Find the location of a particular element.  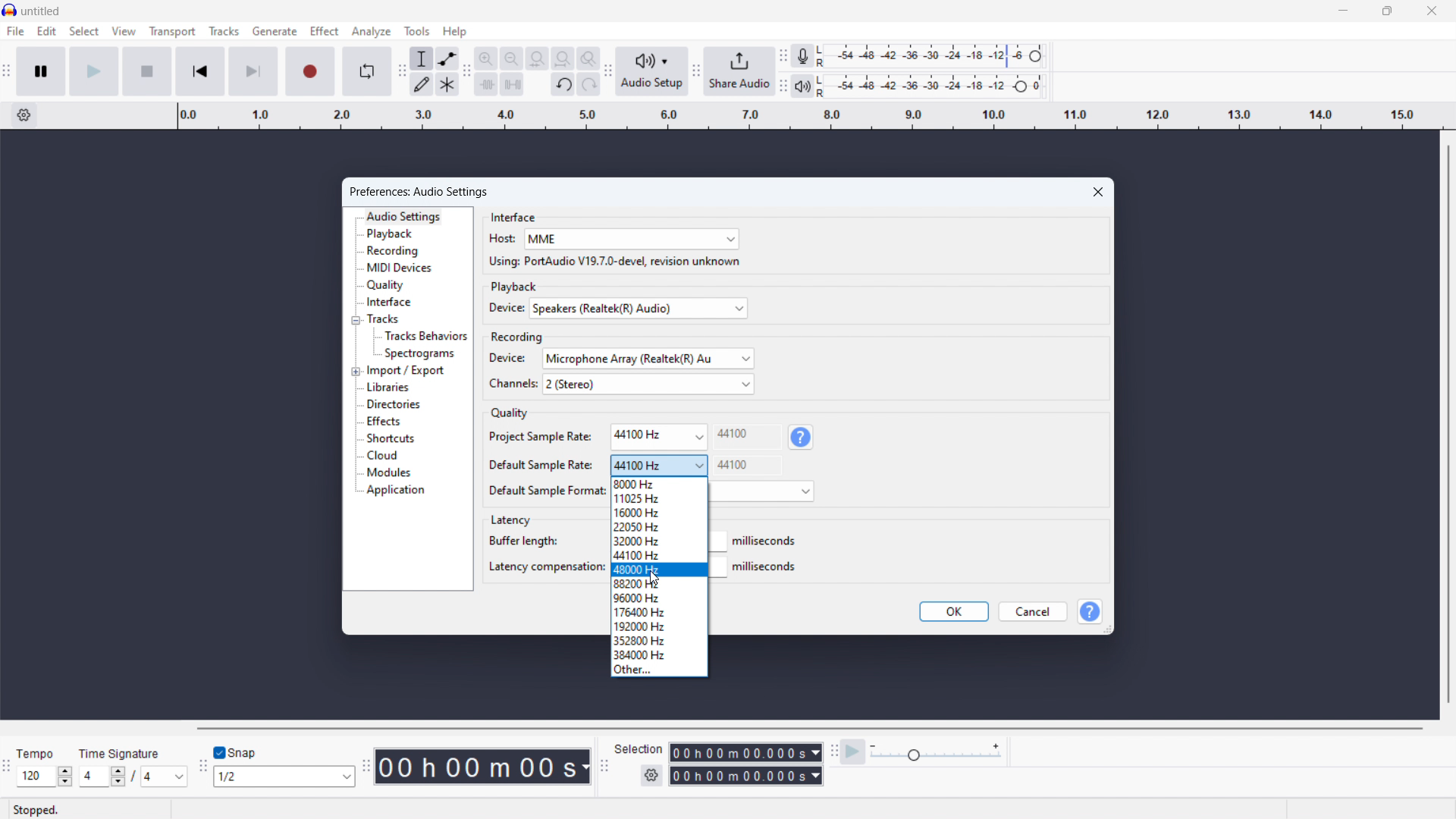

tracks is located at coordinates (384, 318).